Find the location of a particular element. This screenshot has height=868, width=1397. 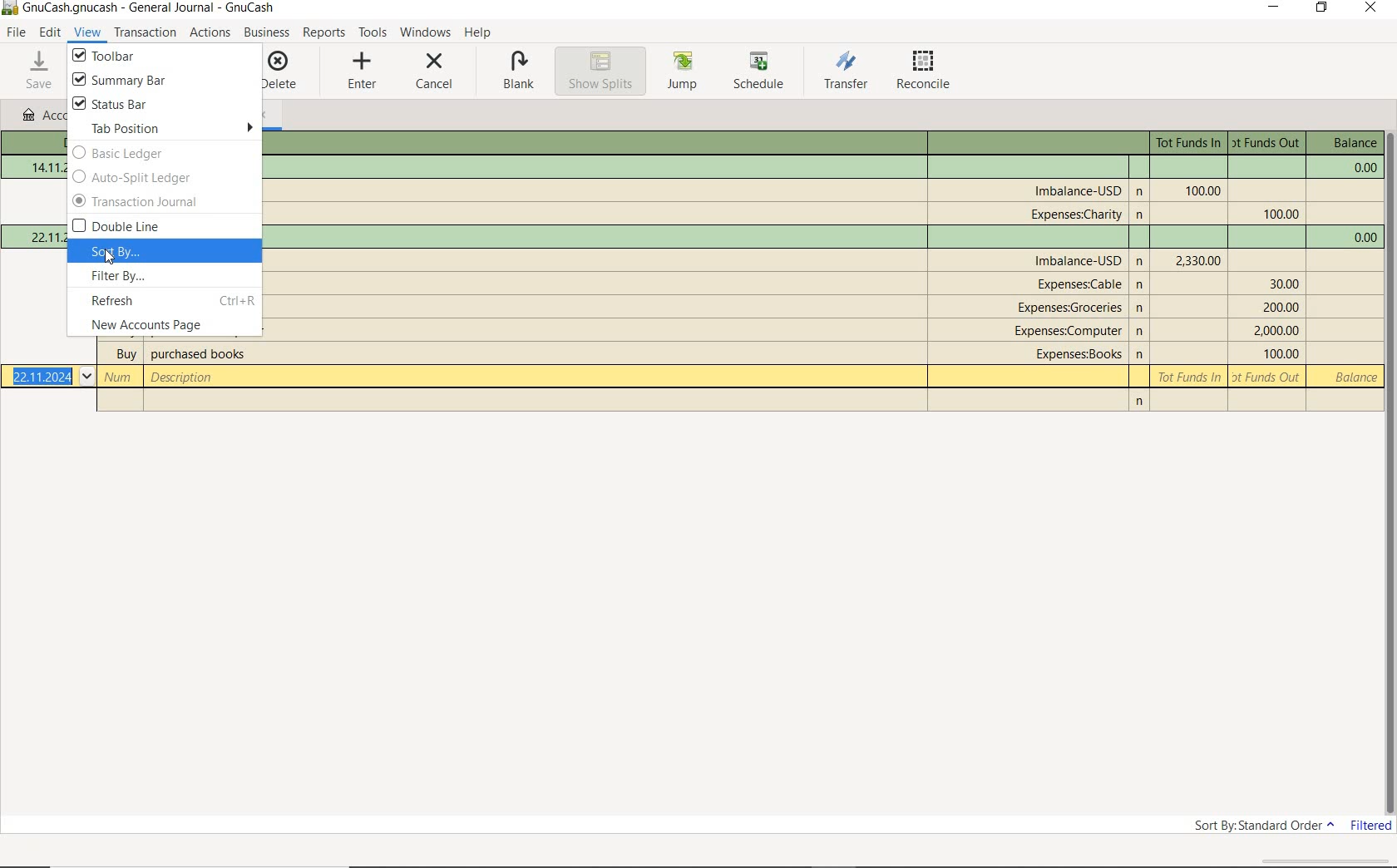

BUSINESS is located at coordinates (267, 33).